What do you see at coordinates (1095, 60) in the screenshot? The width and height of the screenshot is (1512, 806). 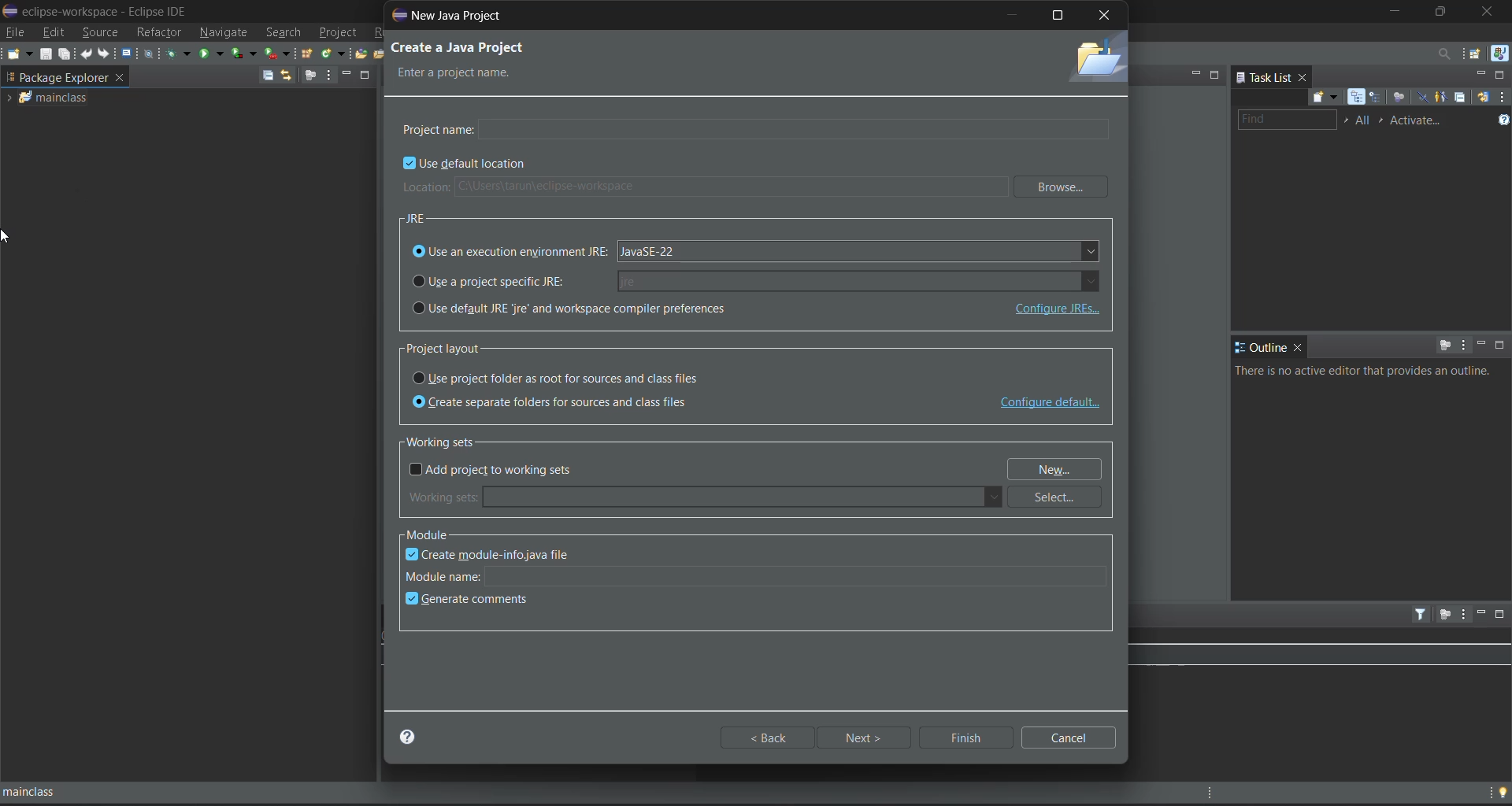 I see `folder` at bounding box center [1095, 60].